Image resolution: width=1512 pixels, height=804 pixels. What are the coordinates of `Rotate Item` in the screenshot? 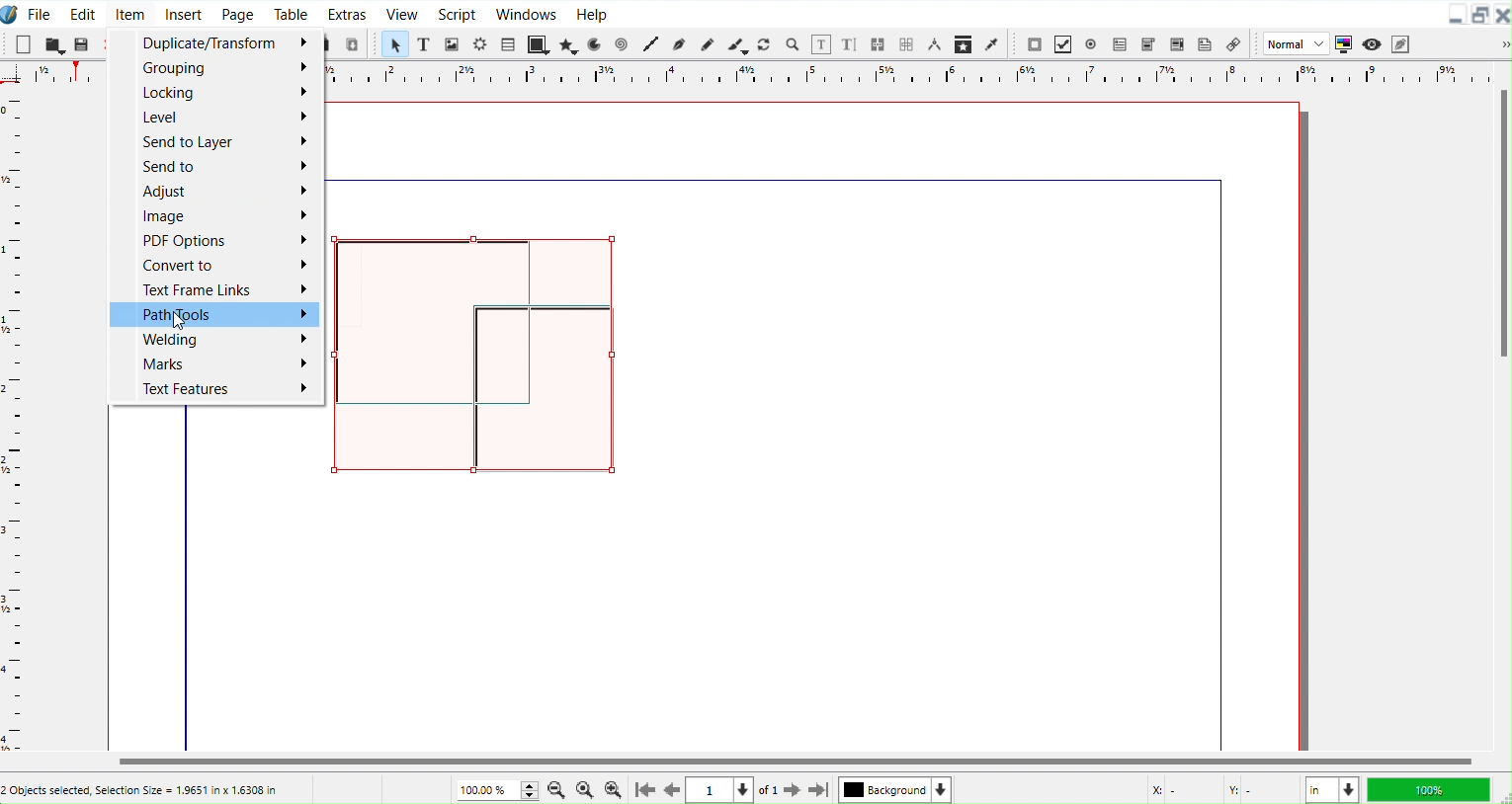 It's located at (765, 44).